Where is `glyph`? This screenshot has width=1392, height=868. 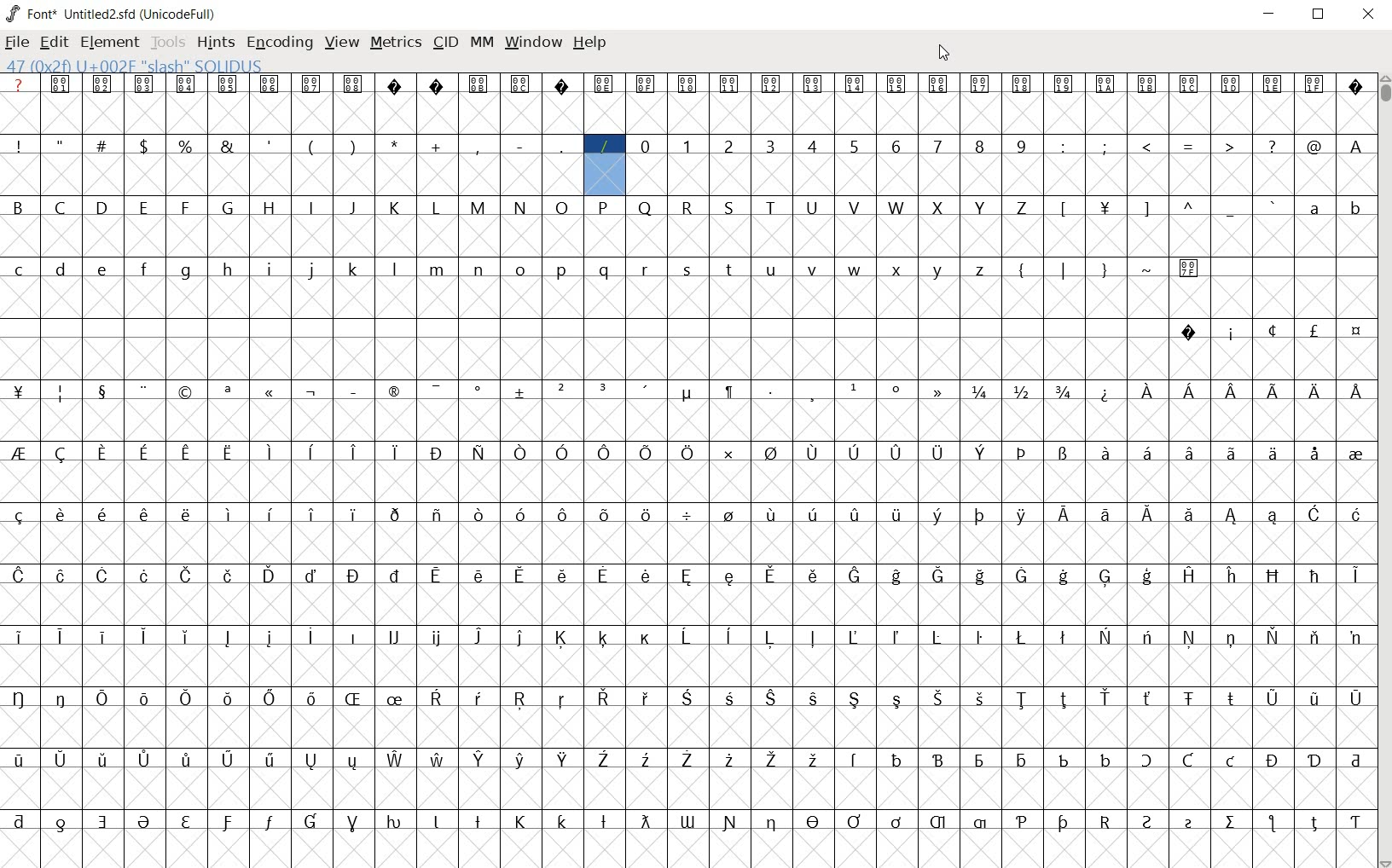 glyph is located at coordinates (939, 271).